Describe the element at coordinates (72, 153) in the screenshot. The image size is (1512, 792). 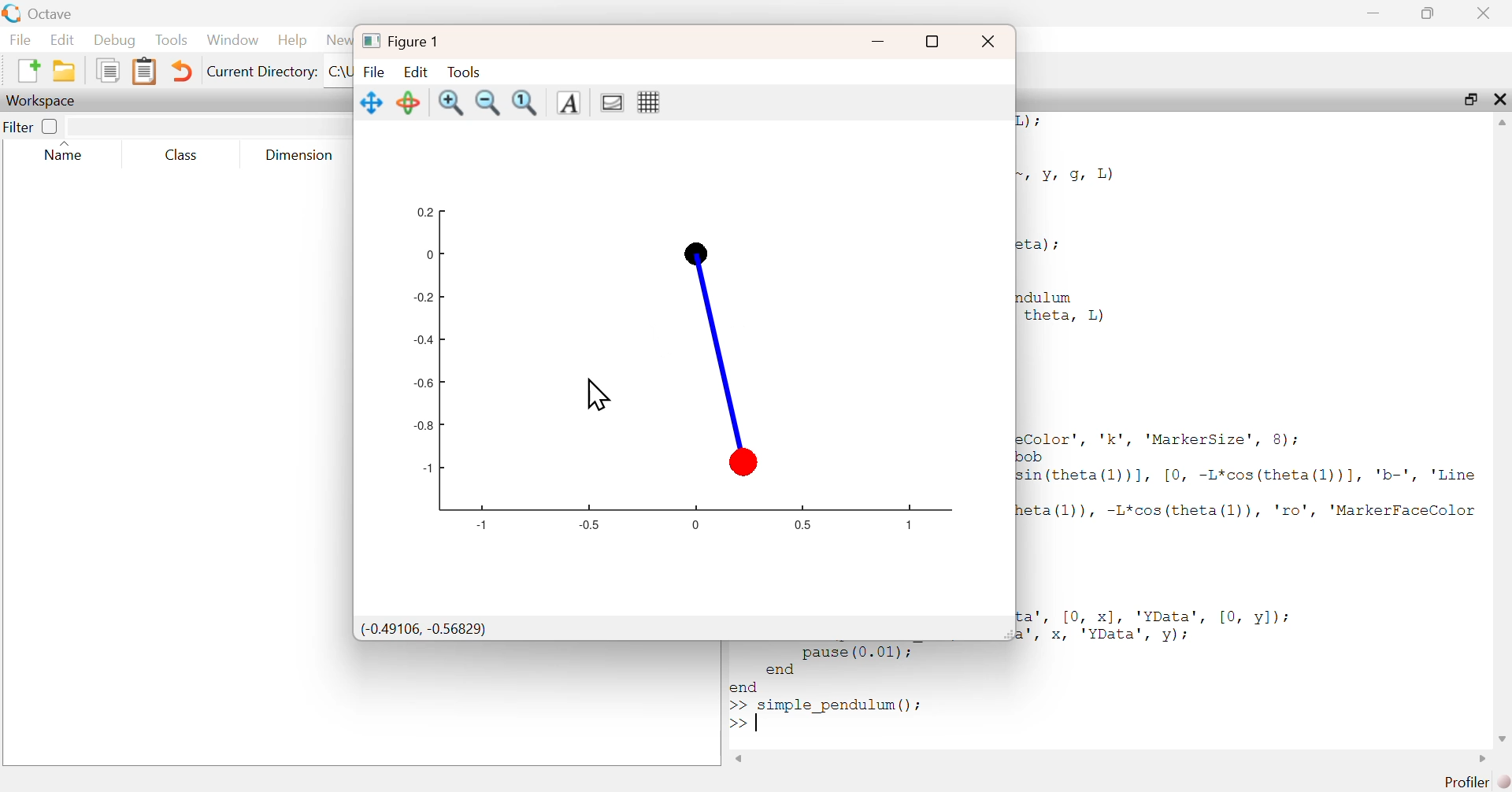
I see `Name` at that location.